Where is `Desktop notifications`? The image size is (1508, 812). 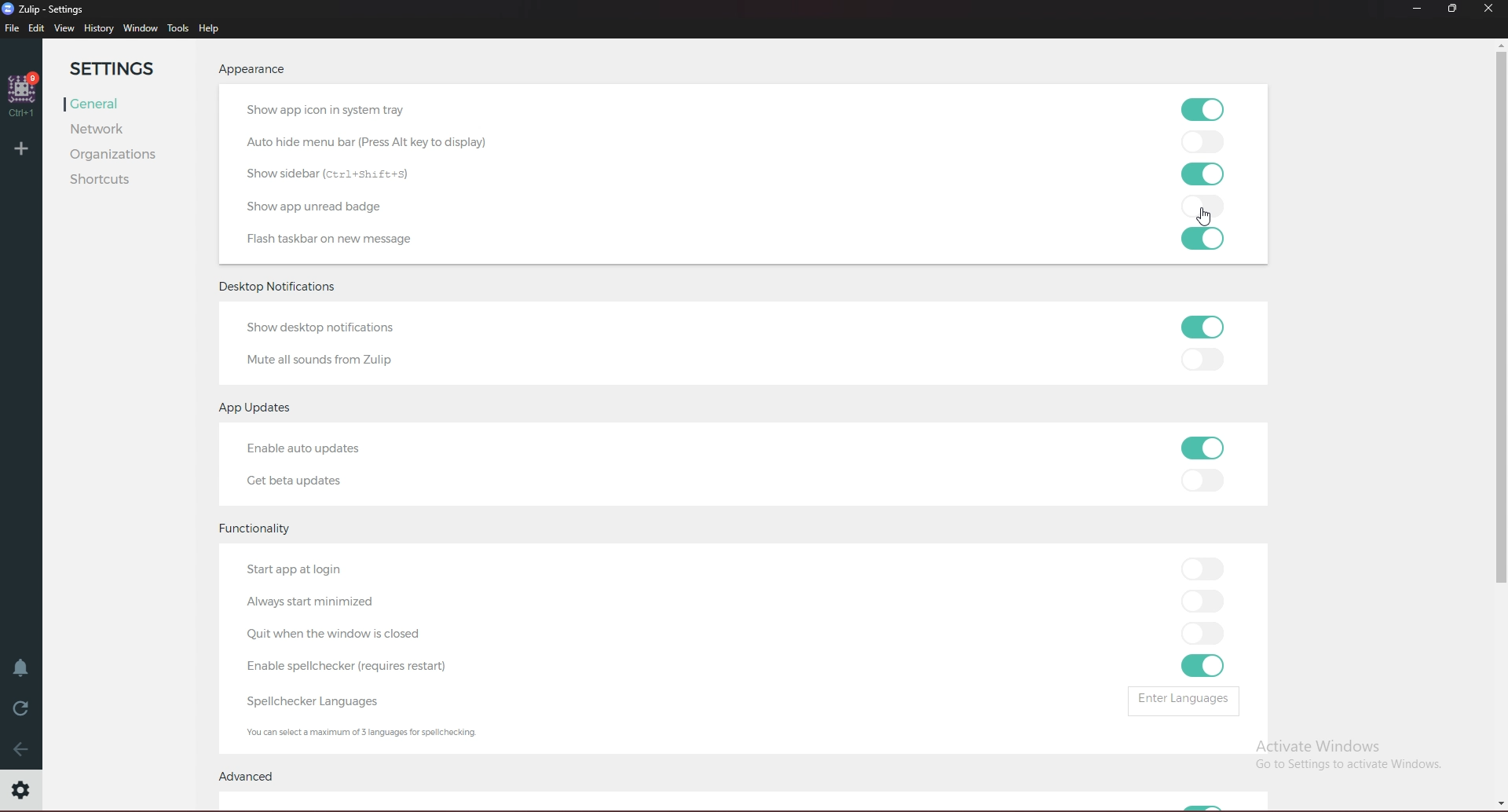 Desktop notifications is located at coordinates (280, 289).